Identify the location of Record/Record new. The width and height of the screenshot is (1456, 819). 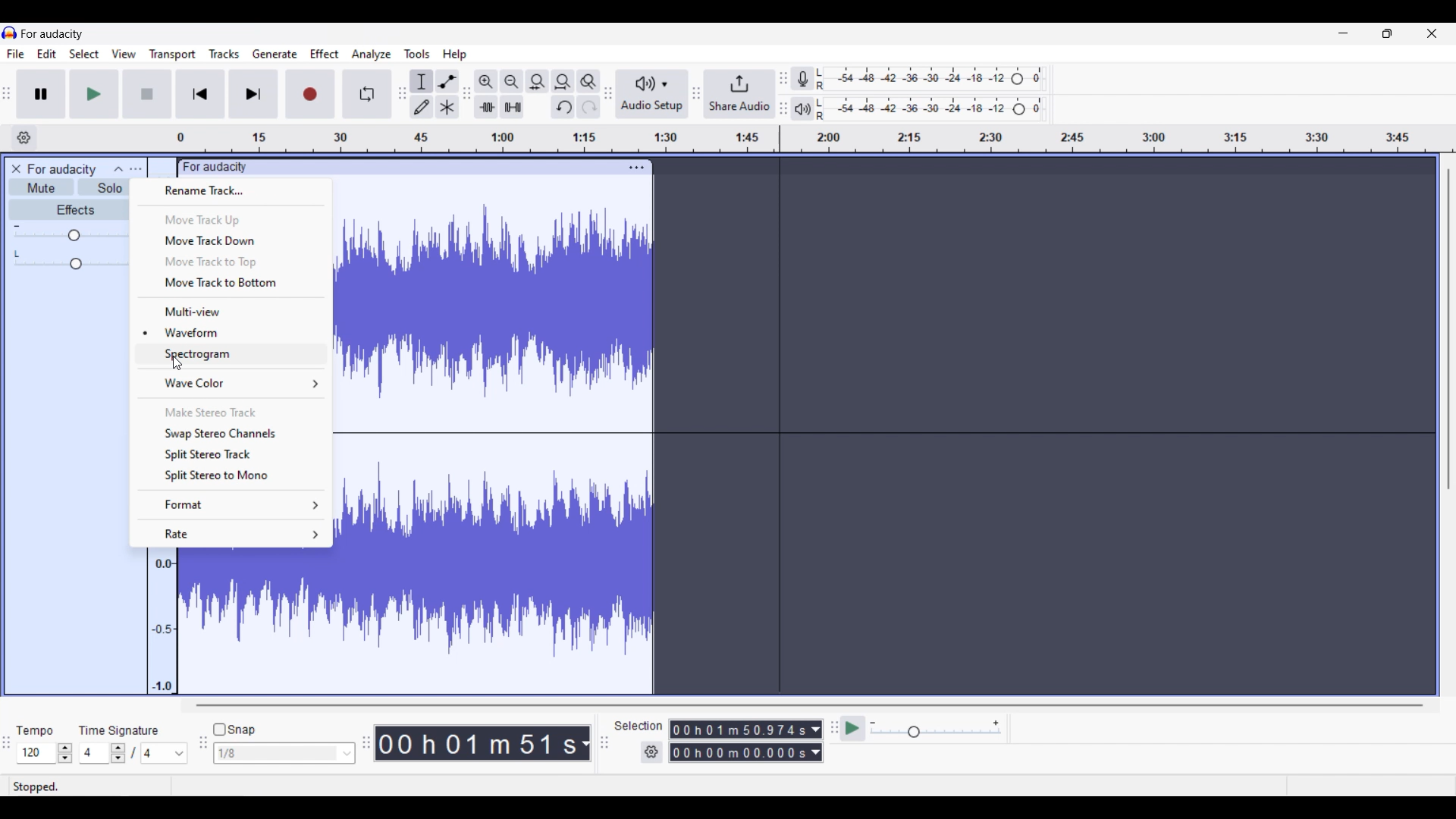
(311, 94).